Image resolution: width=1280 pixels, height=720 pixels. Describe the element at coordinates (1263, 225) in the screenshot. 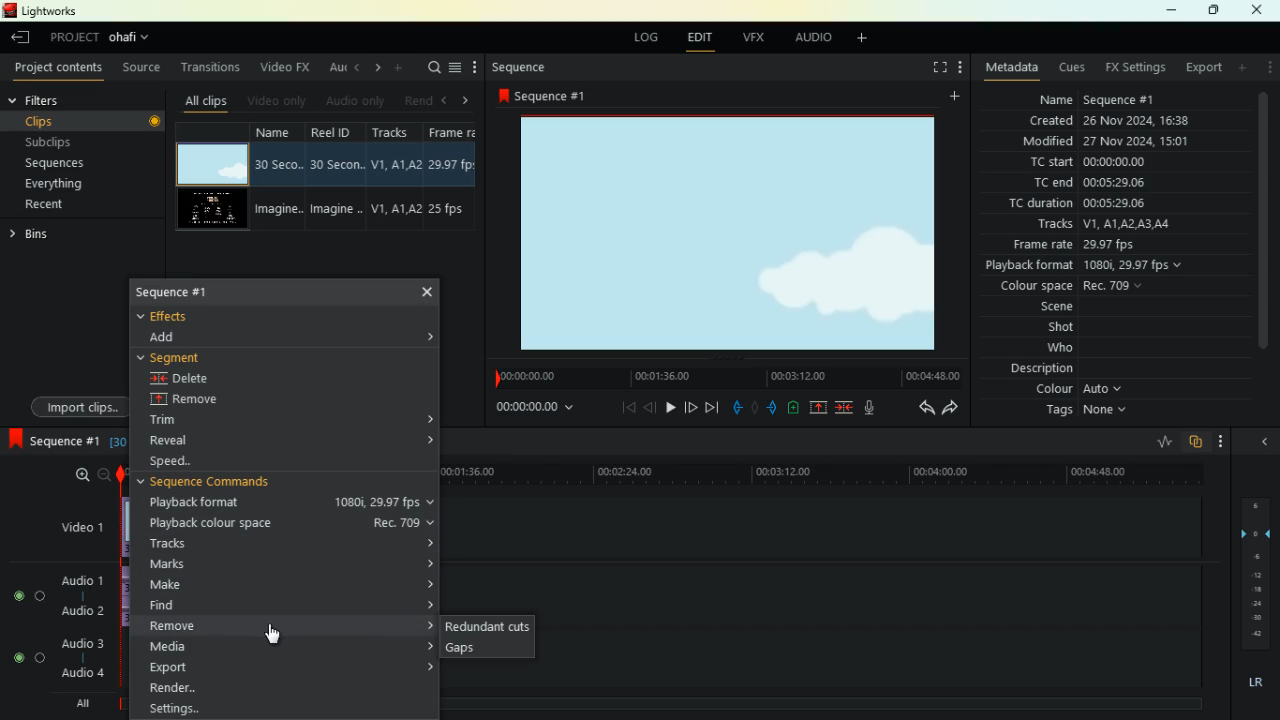

I see `Scroll Bar` at that location.